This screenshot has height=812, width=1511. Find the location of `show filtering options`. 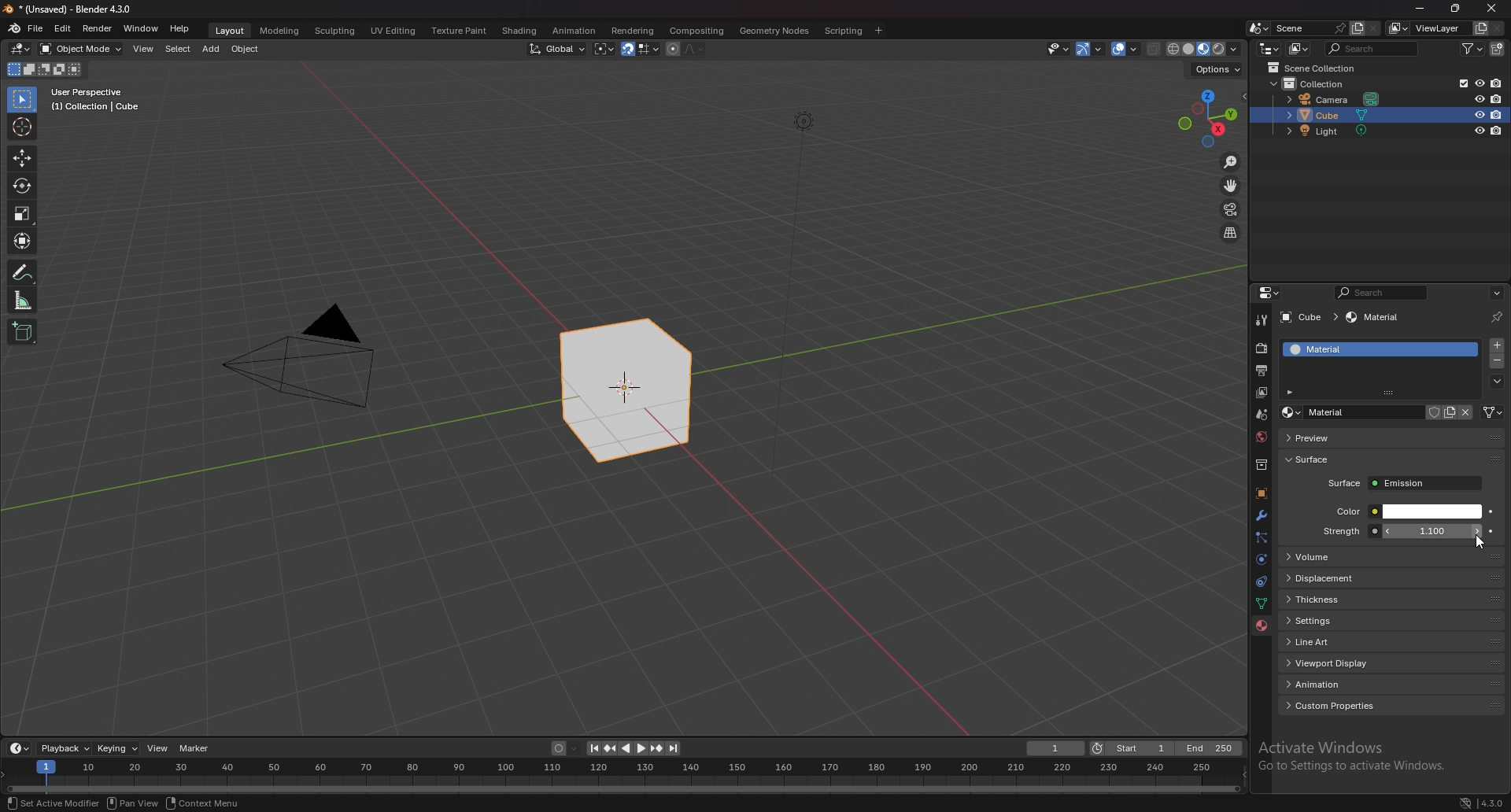

show filtering options is located at coordinates (1291, 391).